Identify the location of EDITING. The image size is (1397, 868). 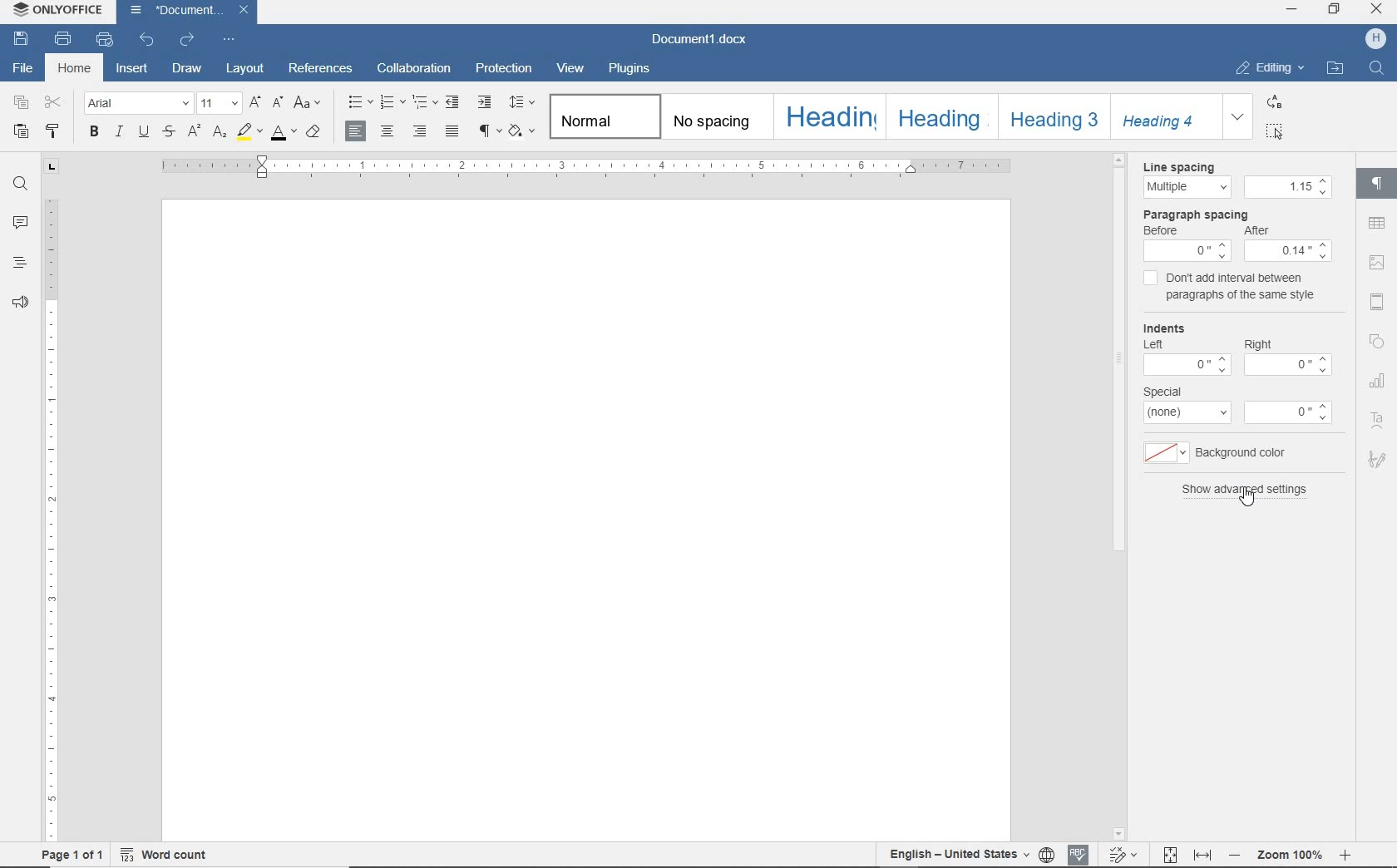
(1266, 67).